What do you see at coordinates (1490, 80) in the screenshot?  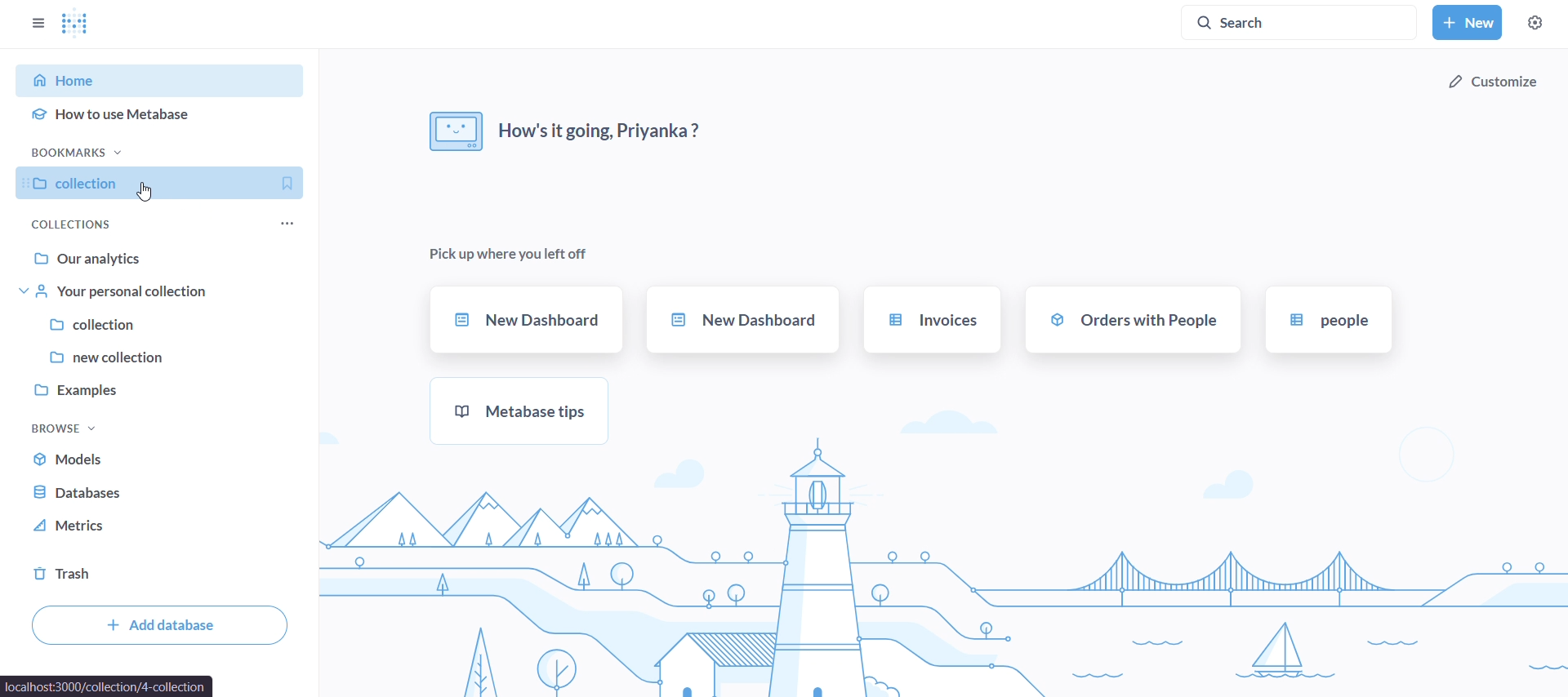 I see `customize` at bounding box center [1490, 80].